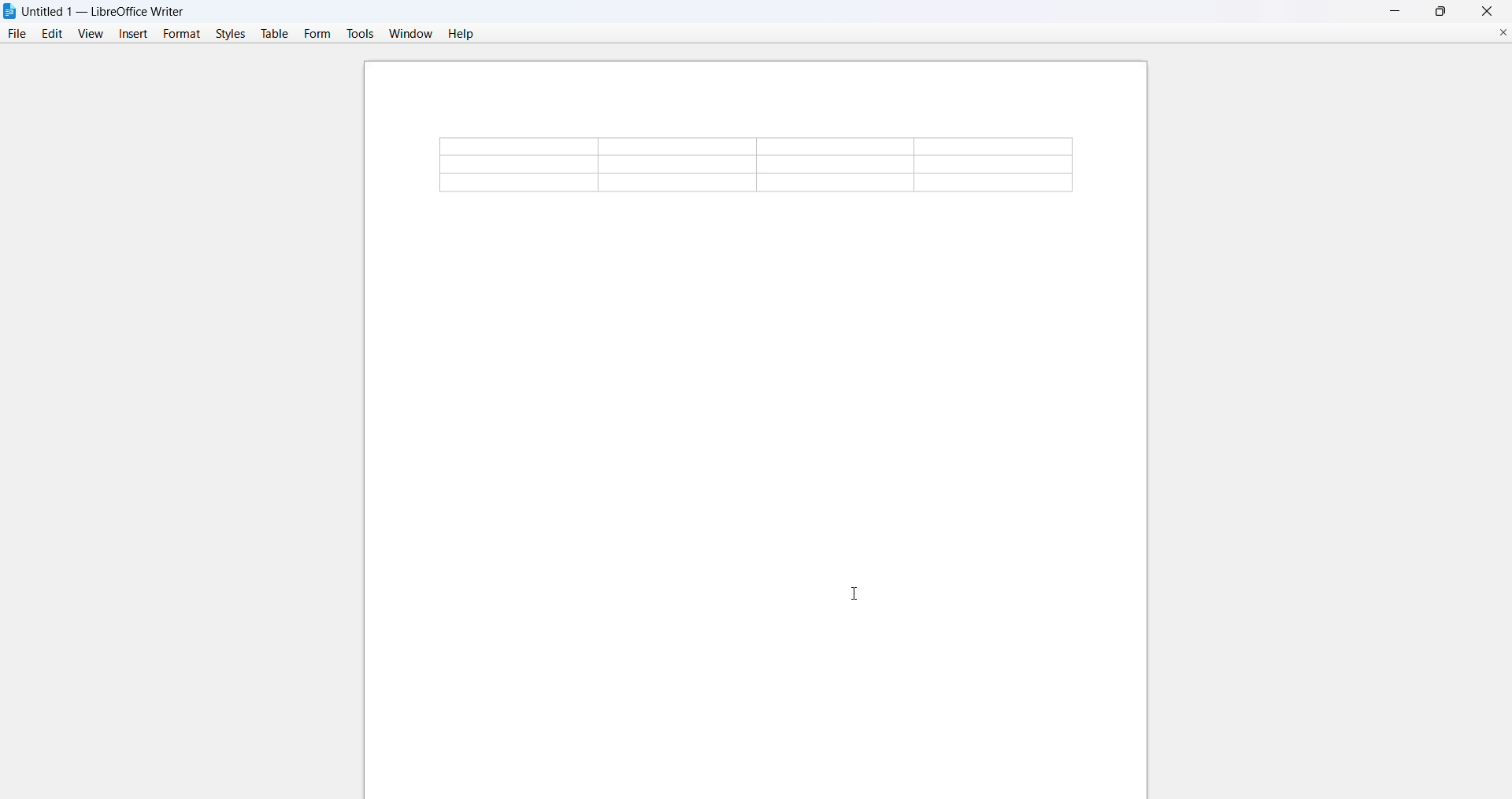 This screenshot has width=1512, height=799. I want to click on styles, so click(228, 33).